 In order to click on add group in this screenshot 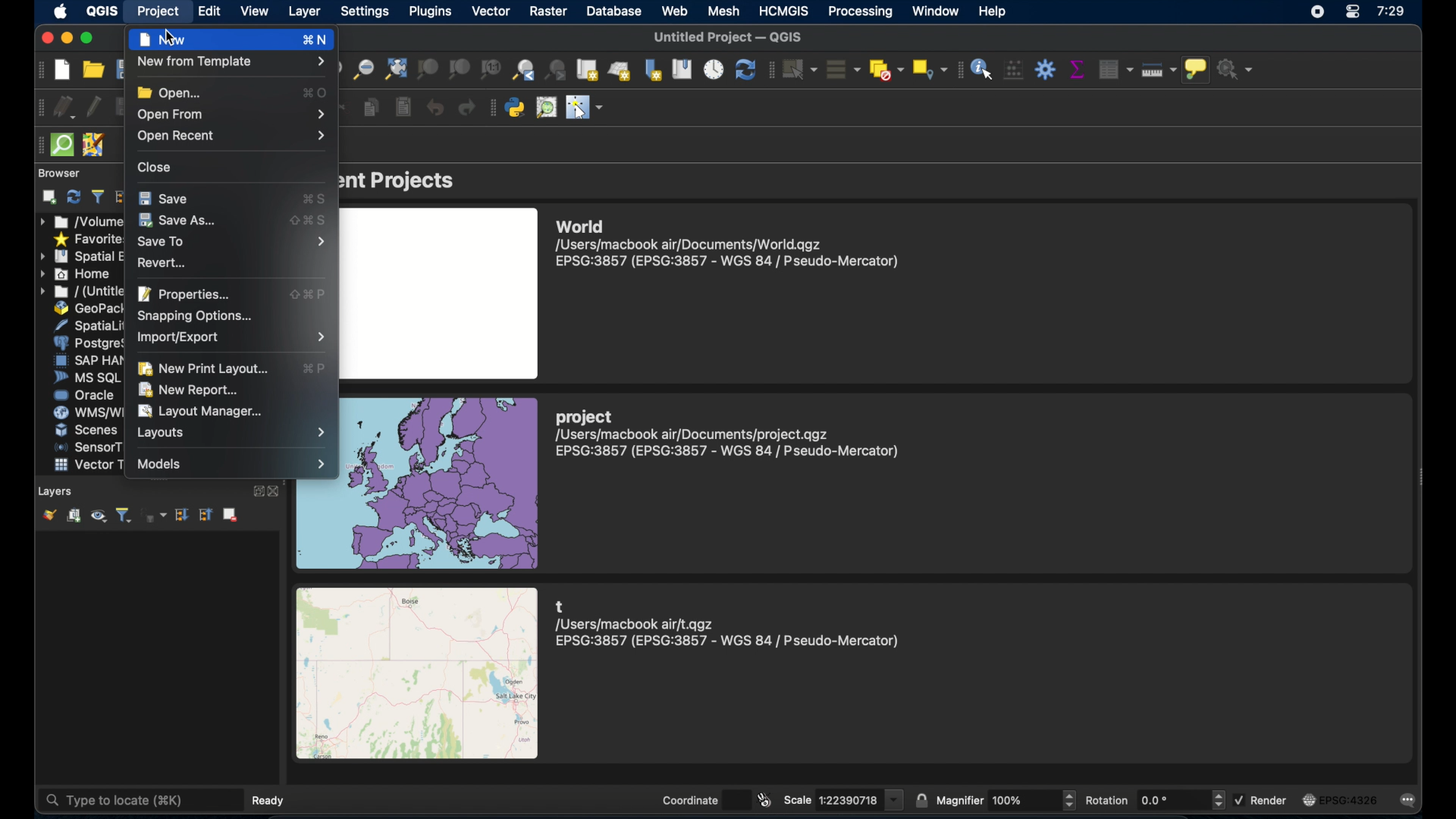, I will do `click(74, 516)`.